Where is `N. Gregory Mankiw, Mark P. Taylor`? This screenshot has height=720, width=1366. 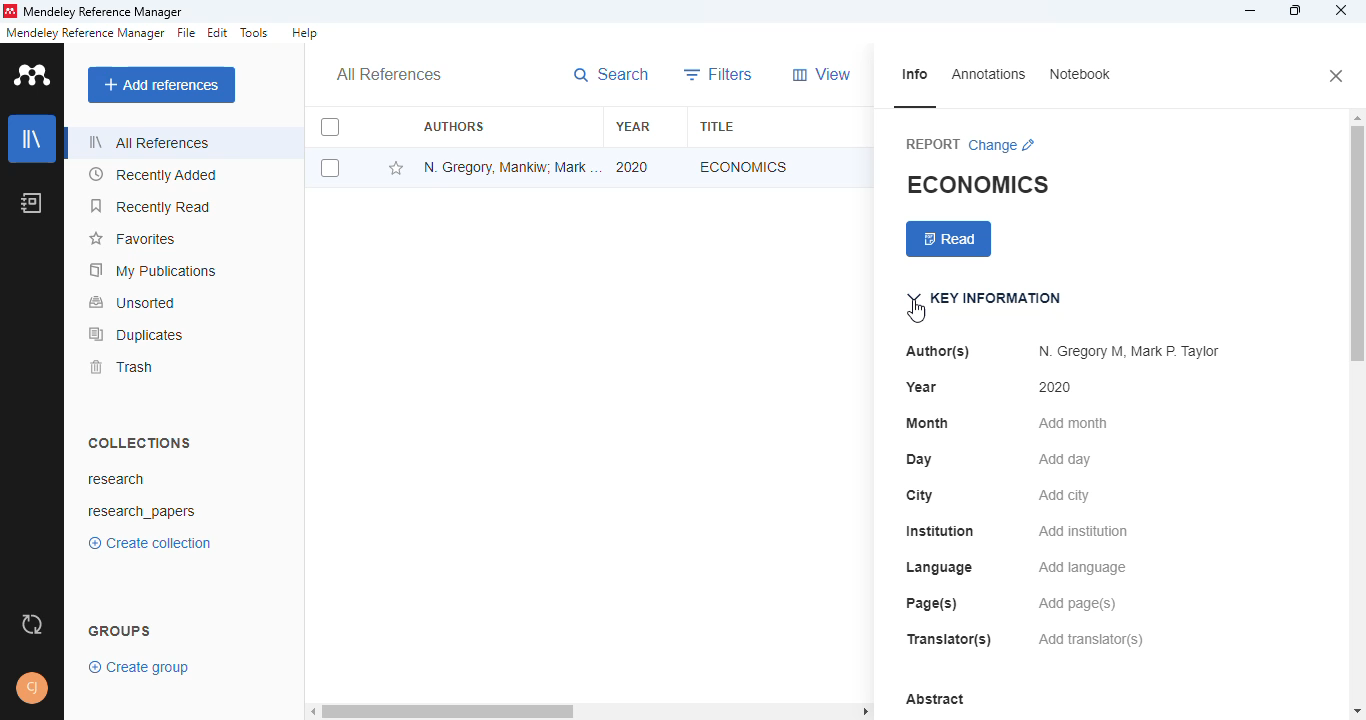 N. Gregory Mankiw, Mark P. Taylor is located at coordinates (513, 166).